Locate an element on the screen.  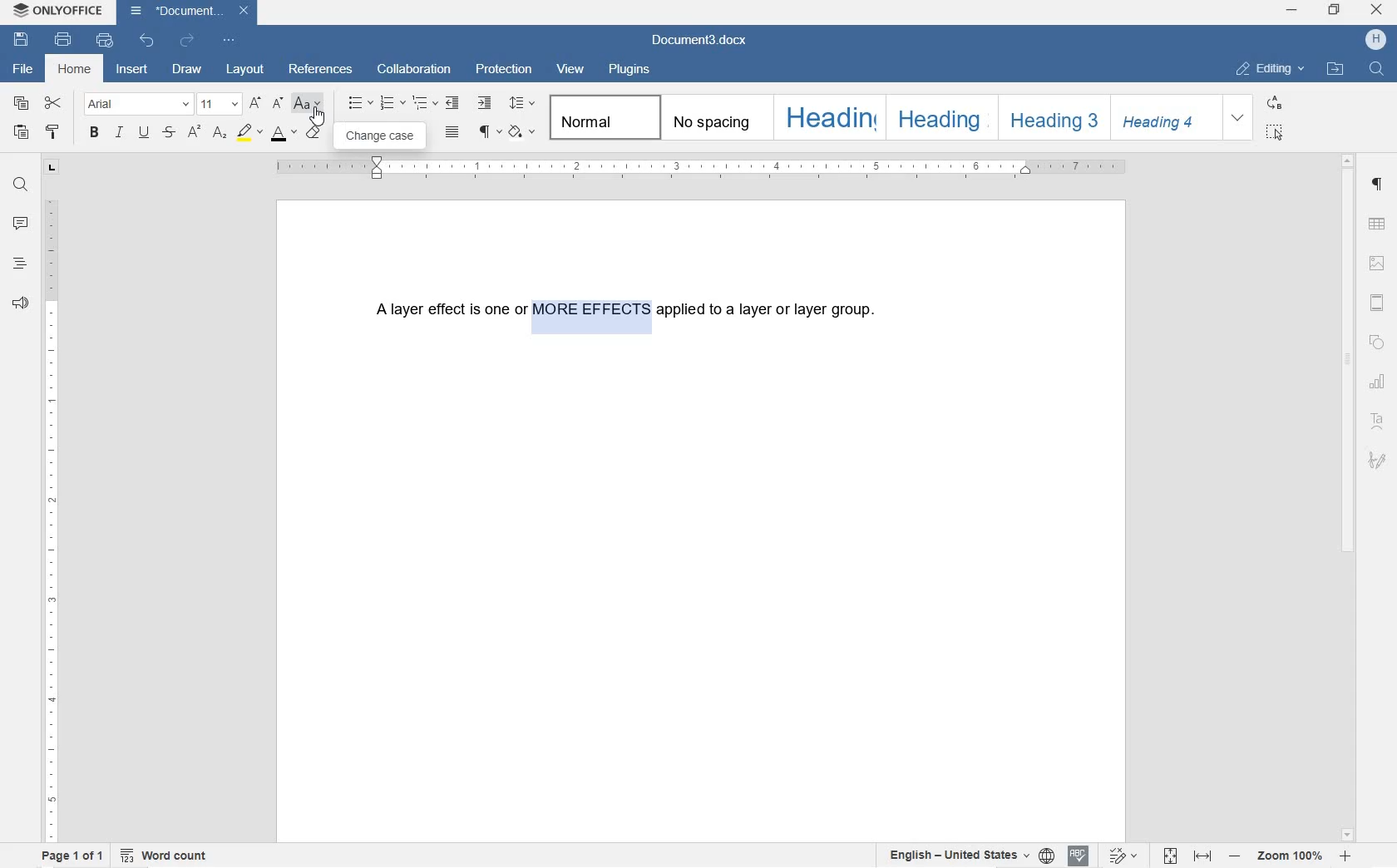
QUICK PRINT is located at coordinates (104, 42).